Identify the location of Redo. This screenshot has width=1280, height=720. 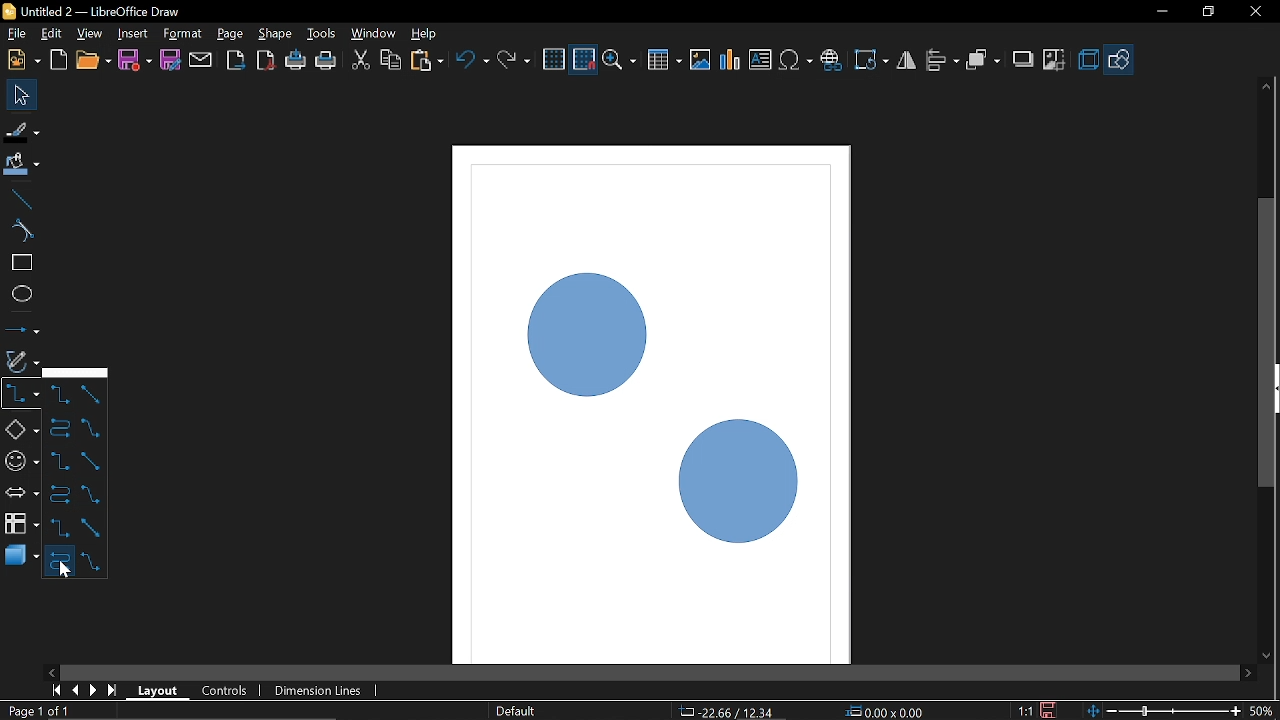
(514, 57).